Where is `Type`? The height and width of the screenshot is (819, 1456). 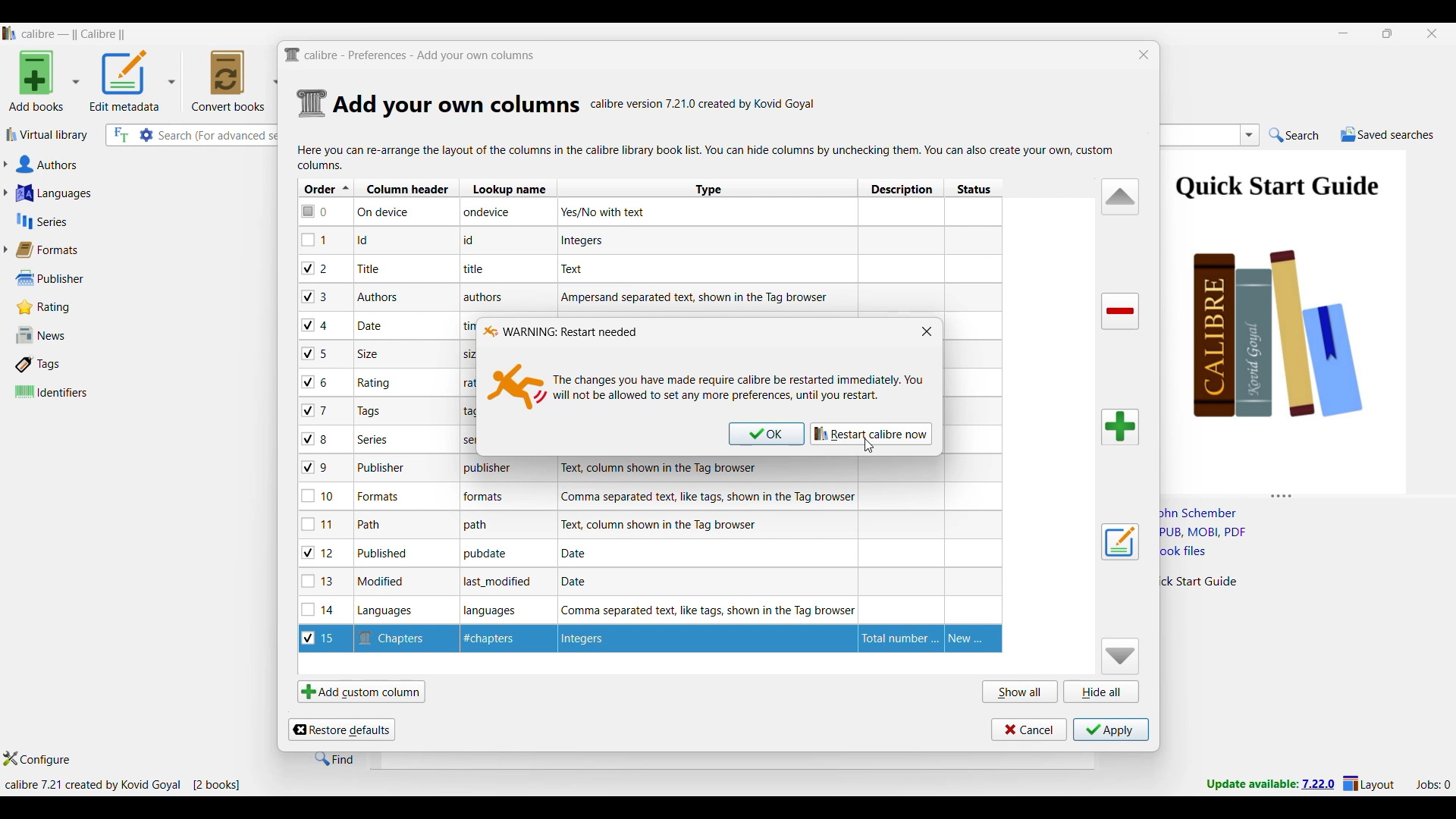 Type is located at coordinates (619, 640).